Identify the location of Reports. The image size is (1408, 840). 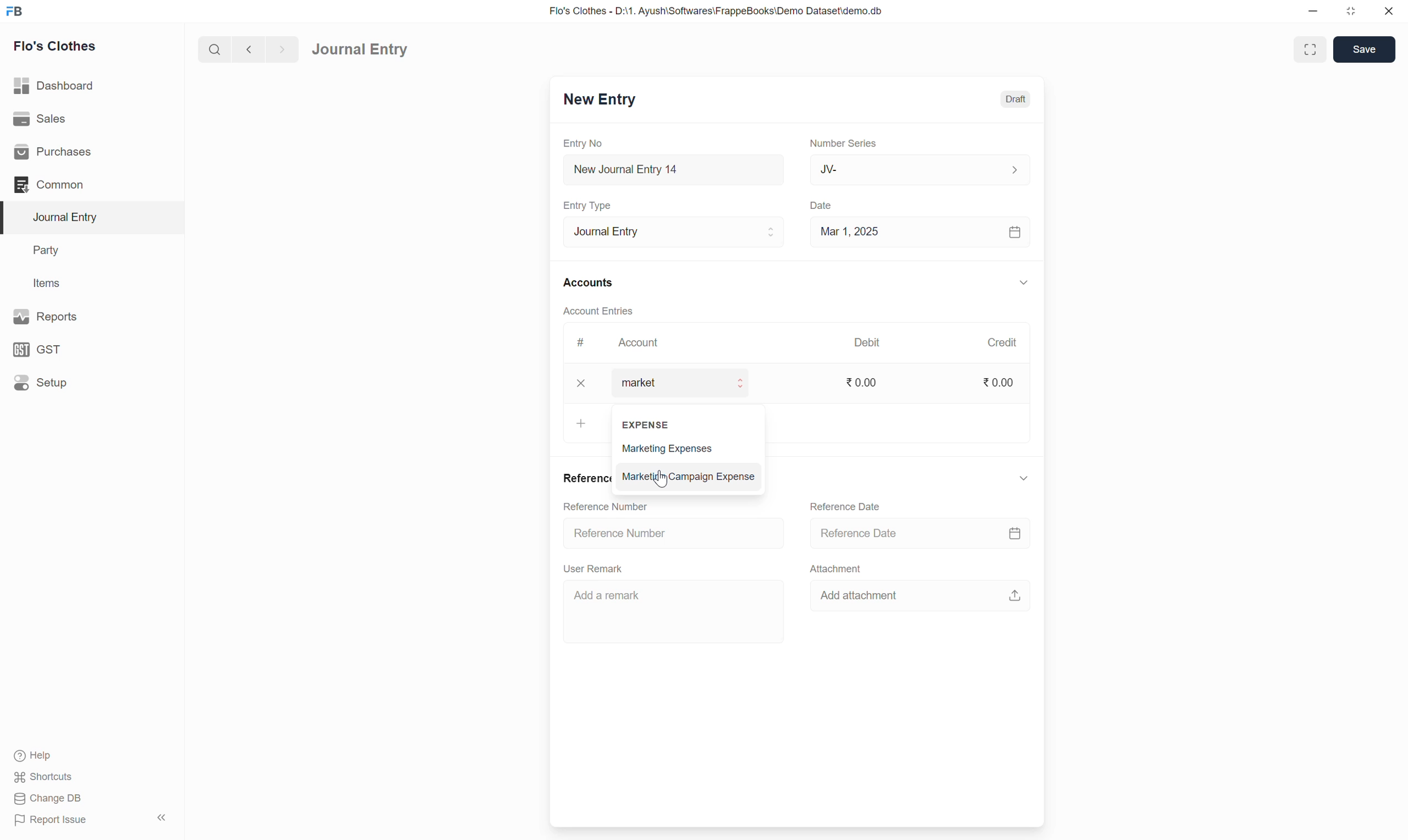
(49, 316).